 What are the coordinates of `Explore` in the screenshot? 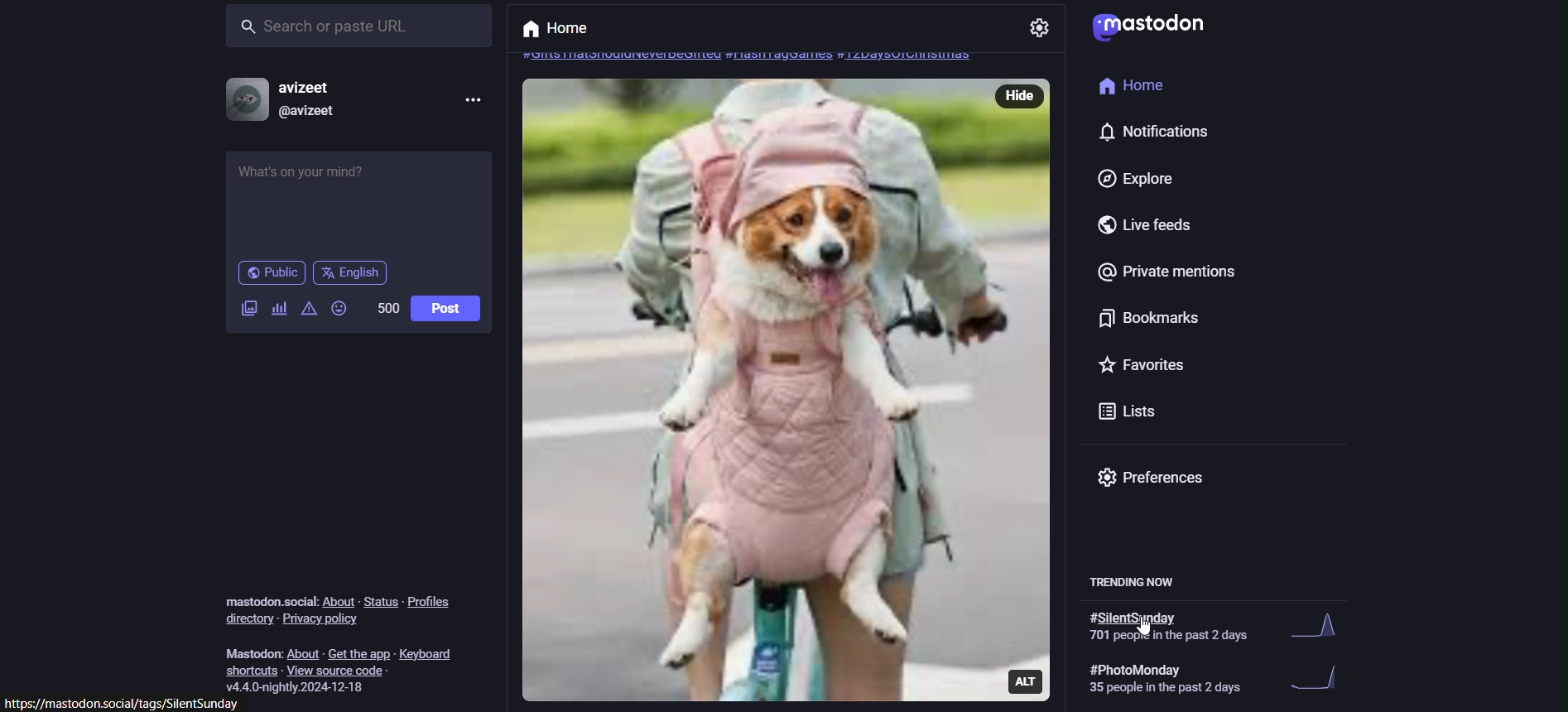 It's located at (1133, 180).